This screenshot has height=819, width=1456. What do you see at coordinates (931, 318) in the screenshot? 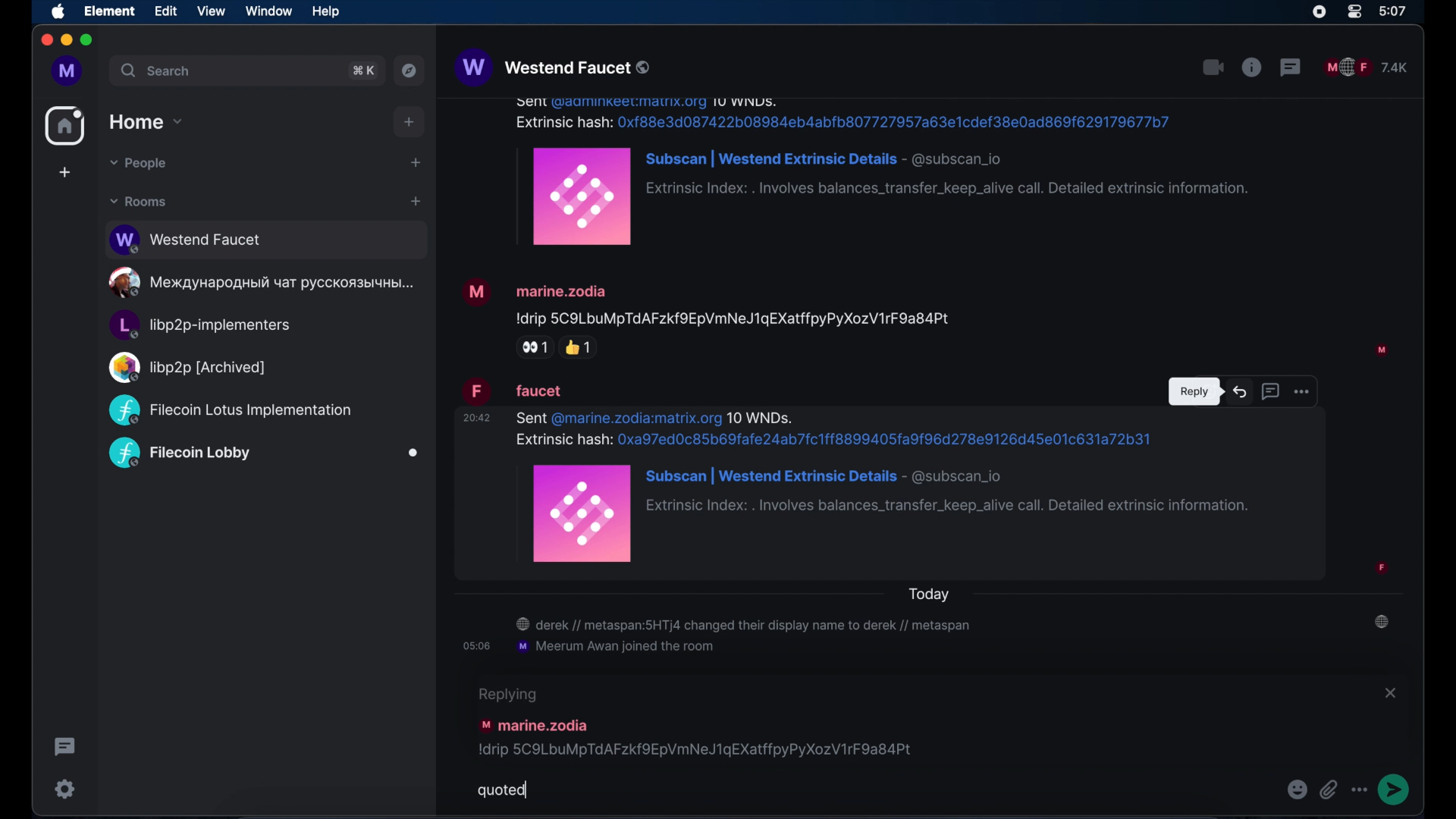
I see `message` at bounding box center [931, 318].